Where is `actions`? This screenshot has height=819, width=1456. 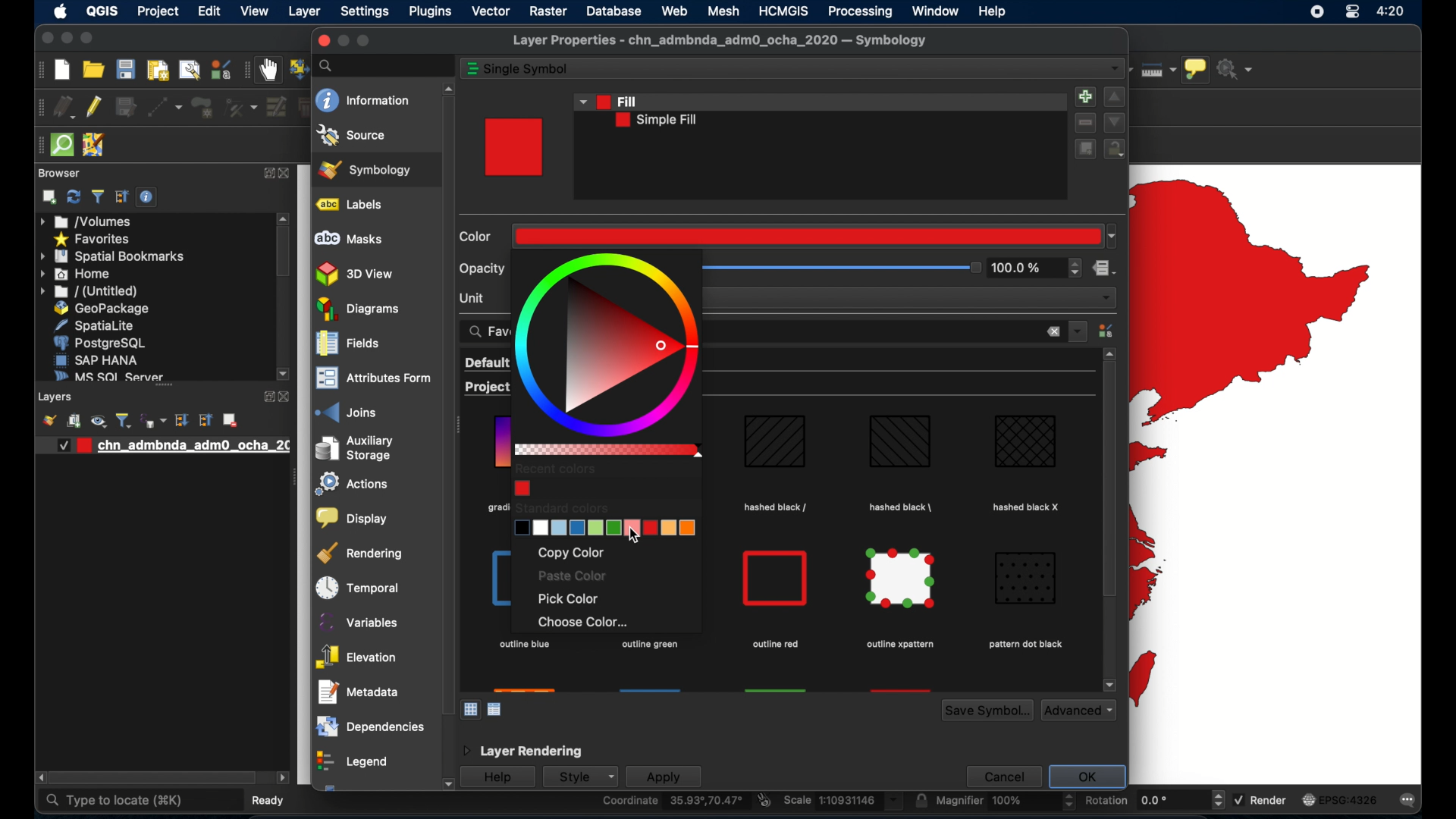 actions is located at coordinates (348, 485).